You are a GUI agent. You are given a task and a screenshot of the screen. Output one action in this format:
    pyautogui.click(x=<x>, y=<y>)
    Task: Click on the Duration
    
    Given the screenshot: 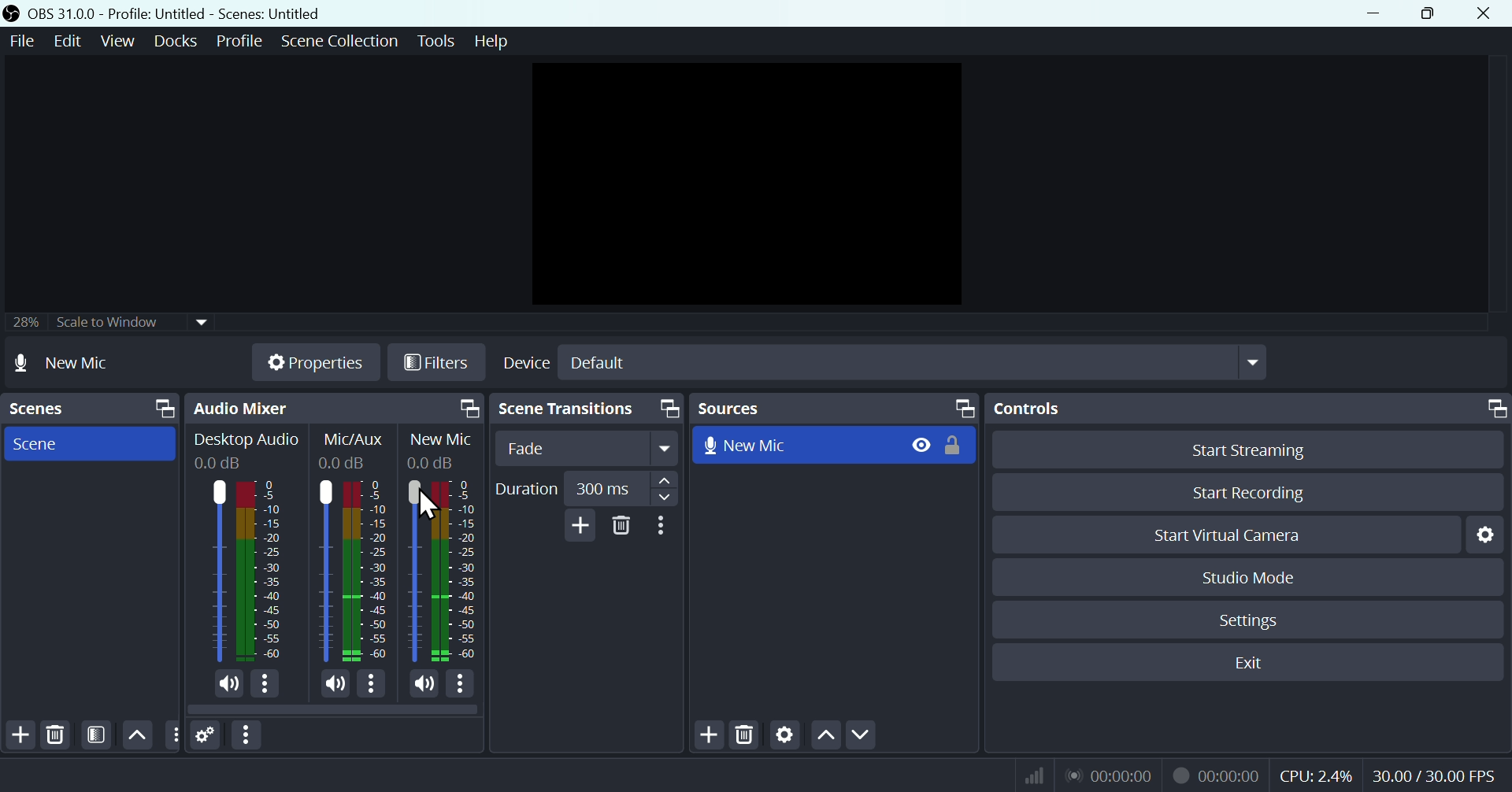 What is the action you would take?
    pyautogui.click(x=584, y=489)
    